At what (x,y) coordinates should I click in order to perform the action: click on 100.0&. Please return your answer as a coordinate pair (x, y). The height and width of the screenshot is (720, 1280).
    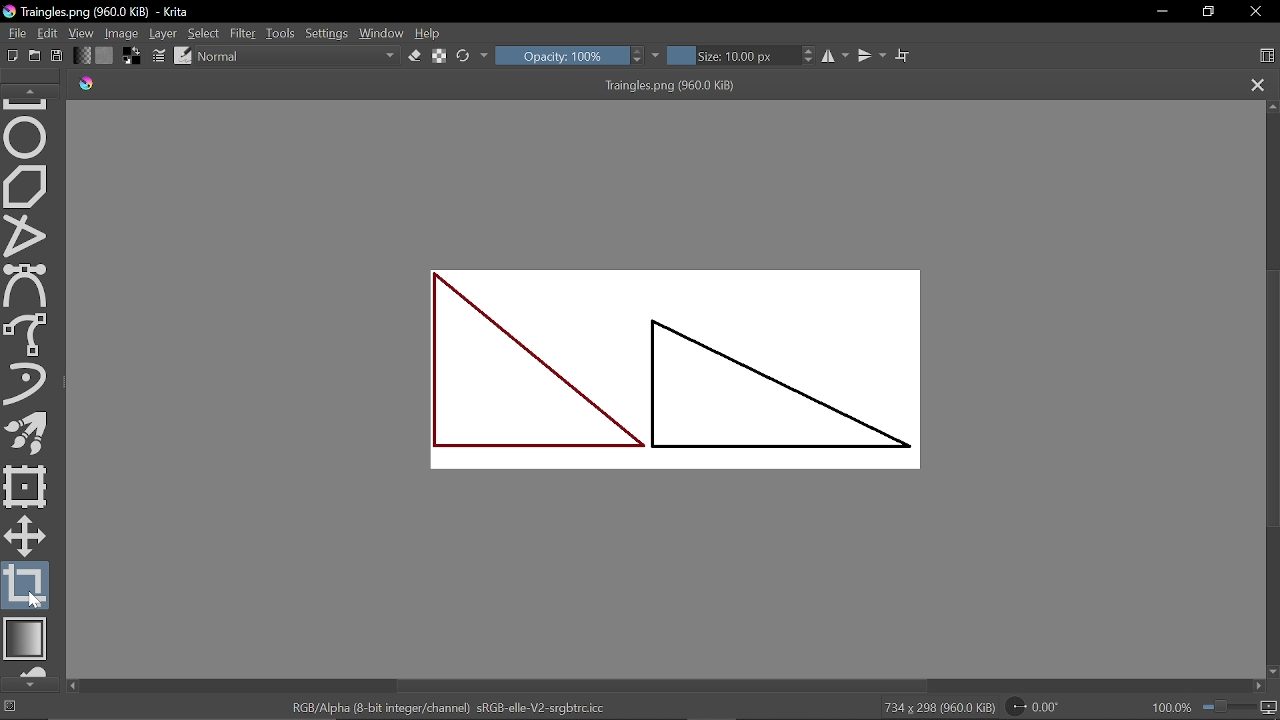
    Looking at the image, I should click on (1216, 705).